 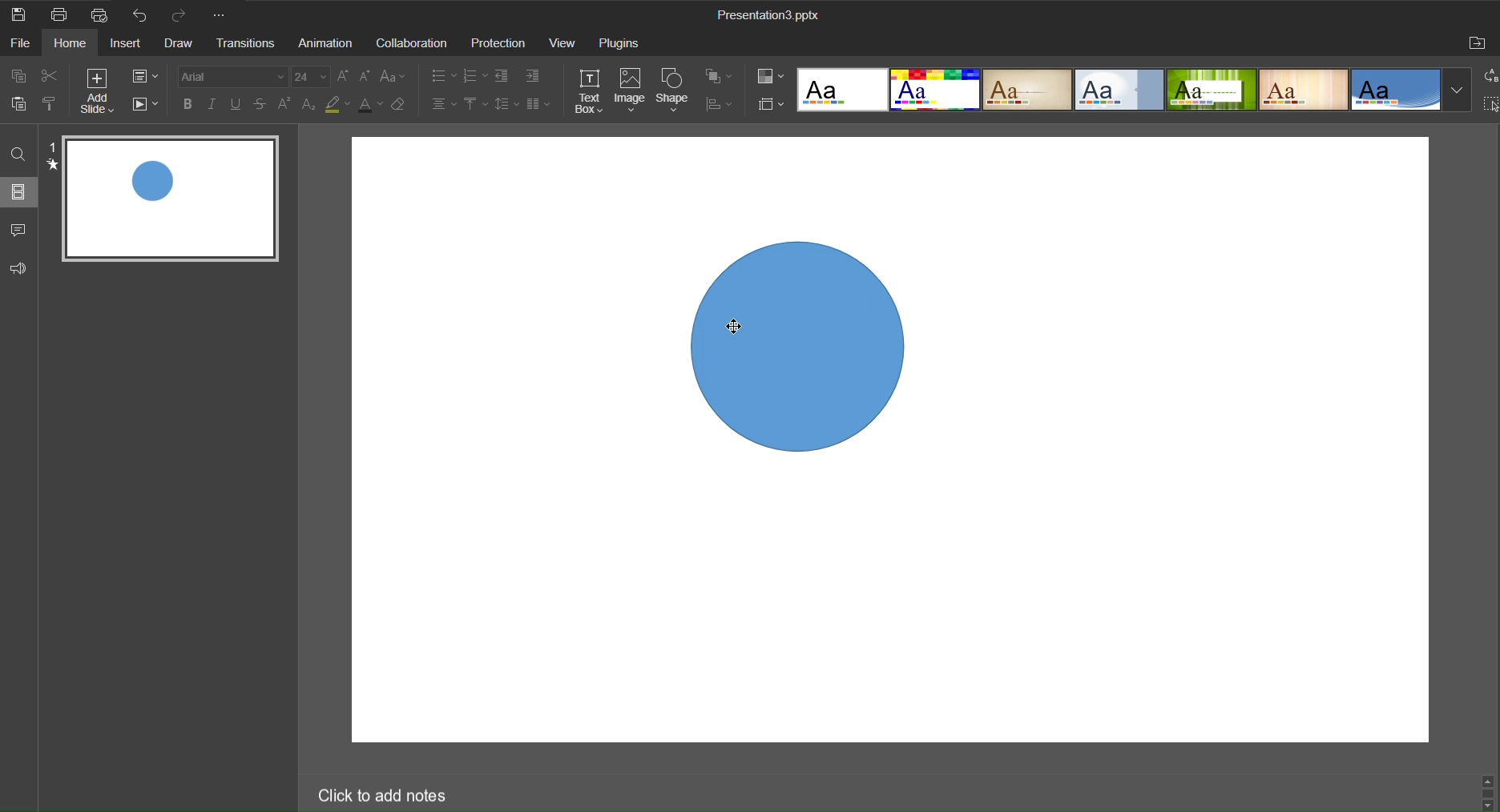 What do you see at coordinates (233, 78) in the screenshot?
I see `Font` at bounding box center [233, 78].